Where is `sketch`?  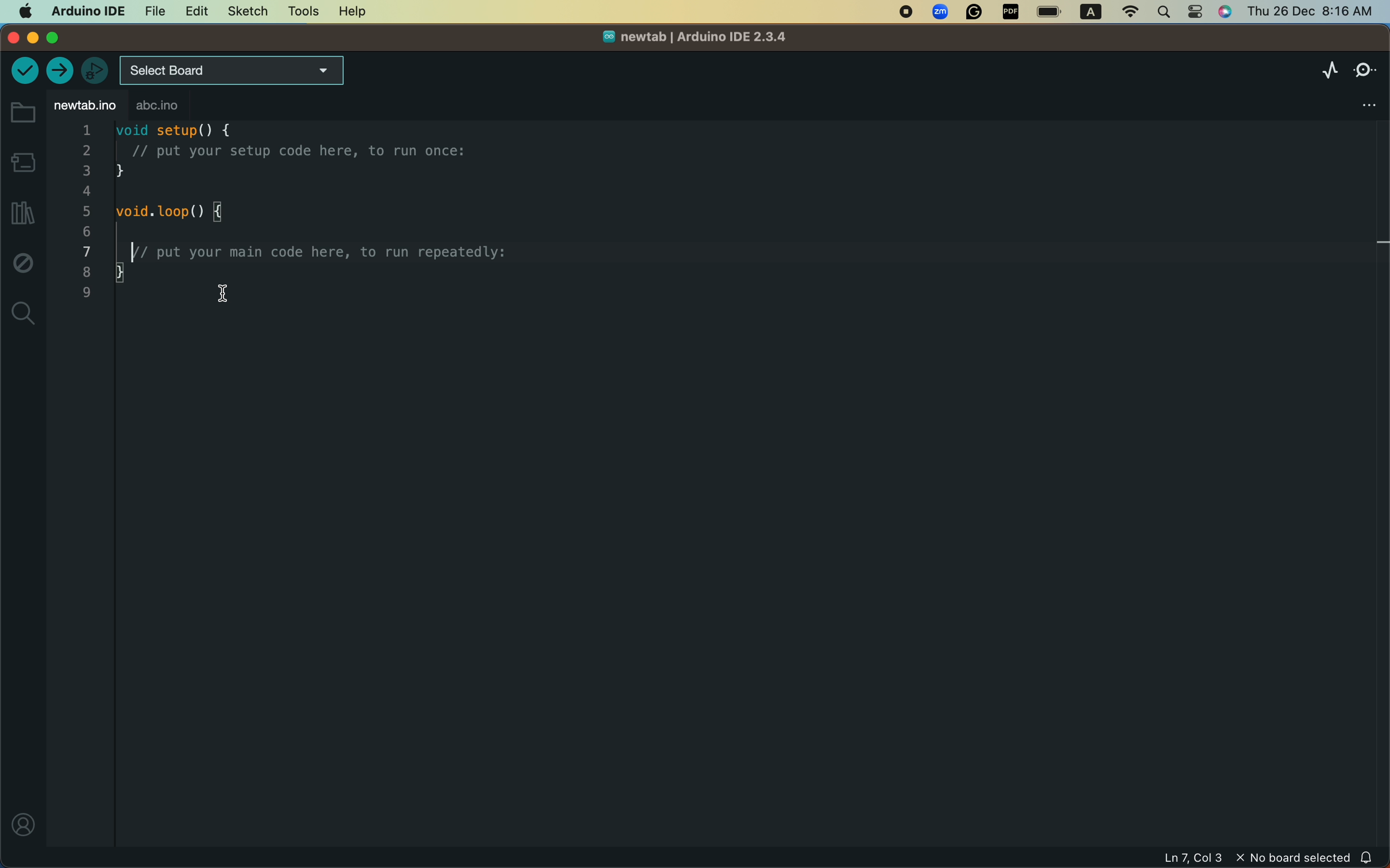
sketch is located at coordinates (244, 12).